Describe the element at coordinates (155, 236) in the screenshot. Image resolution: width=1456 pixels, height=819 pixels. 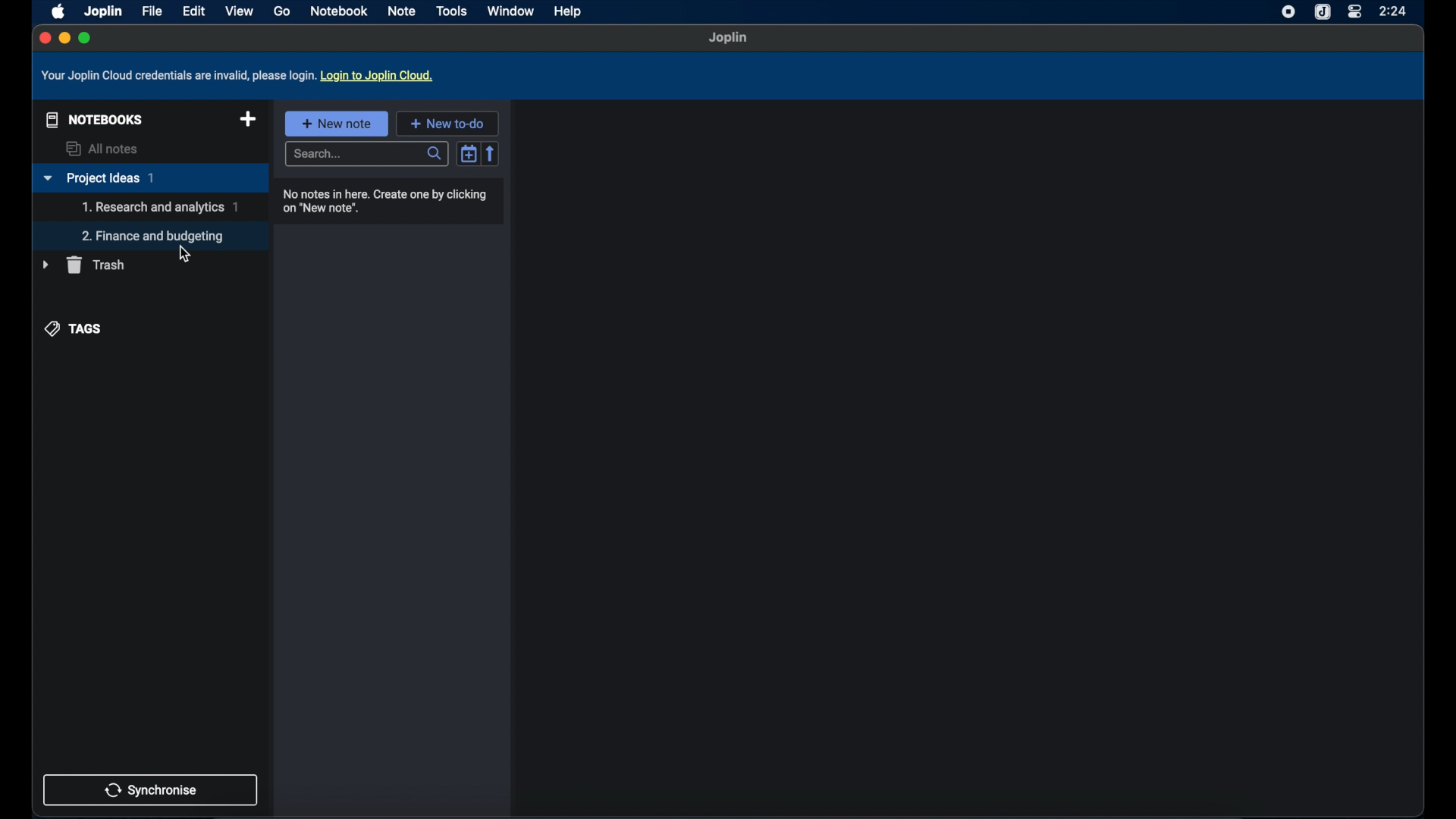
I see `Finance and Budgeting(sub-notebook)` at that location.